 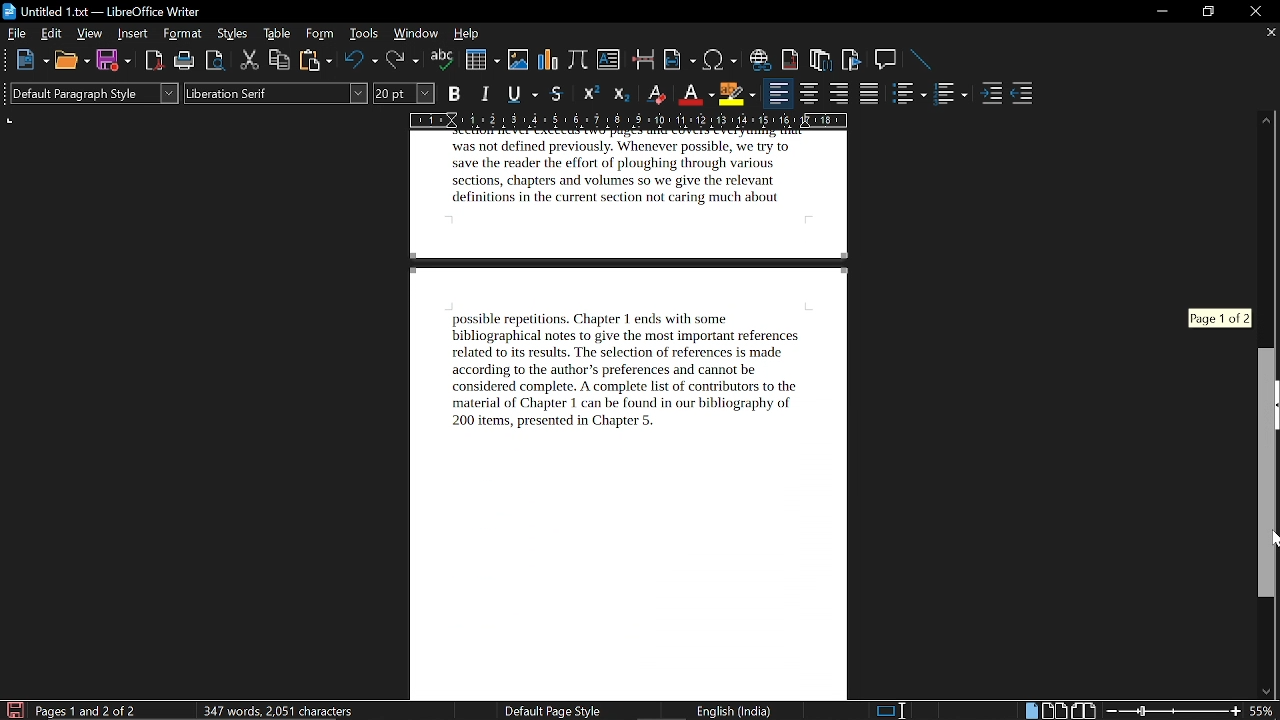 I want to click on table, so click(x=277, y=35).